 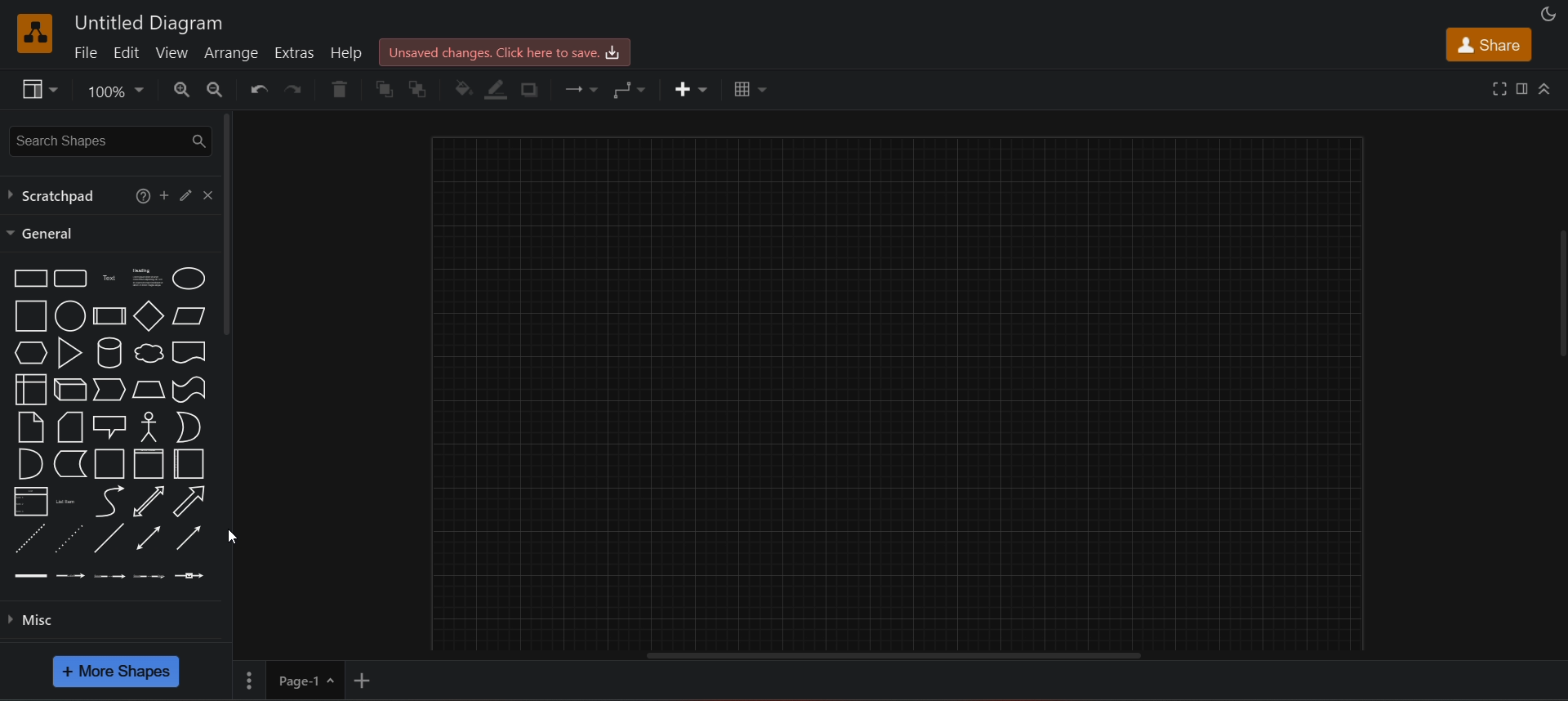 I want to click on data storage, so click(x=69, y=463).